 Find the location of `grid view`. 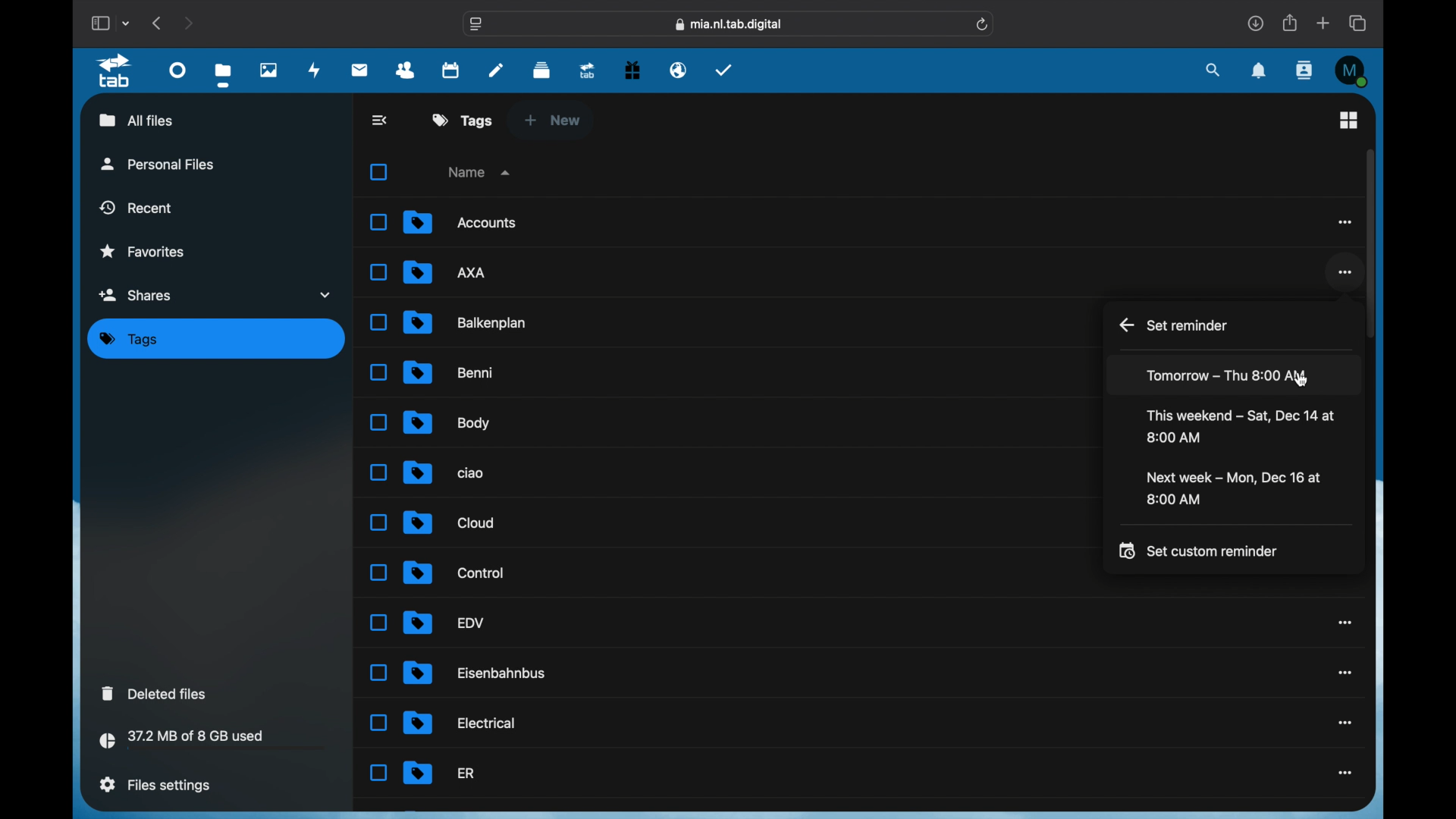

grid view is located at coordinates (1348, 120).